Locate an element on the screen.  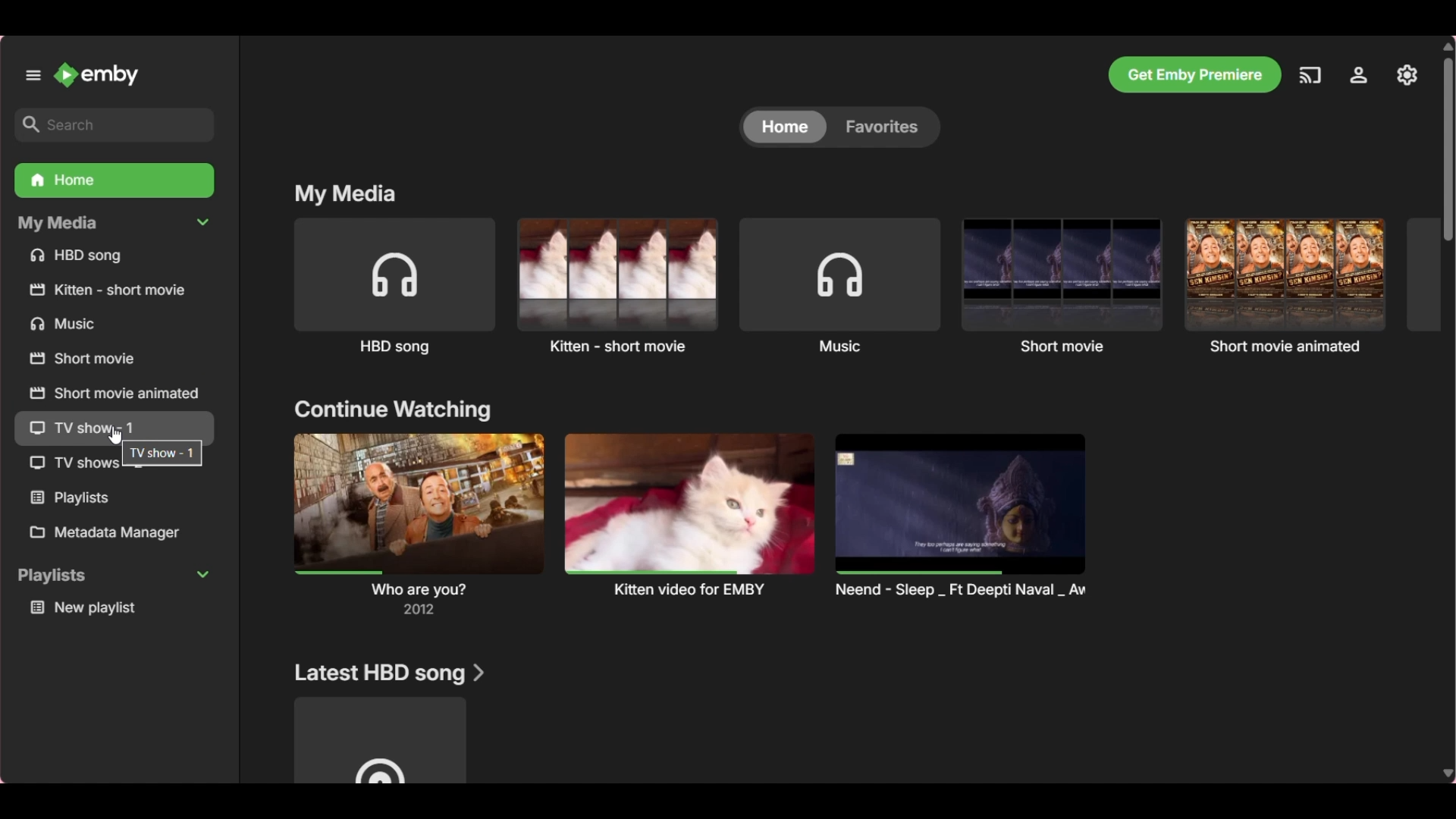
Collapse Playlists is located at coordinates (114, 577).